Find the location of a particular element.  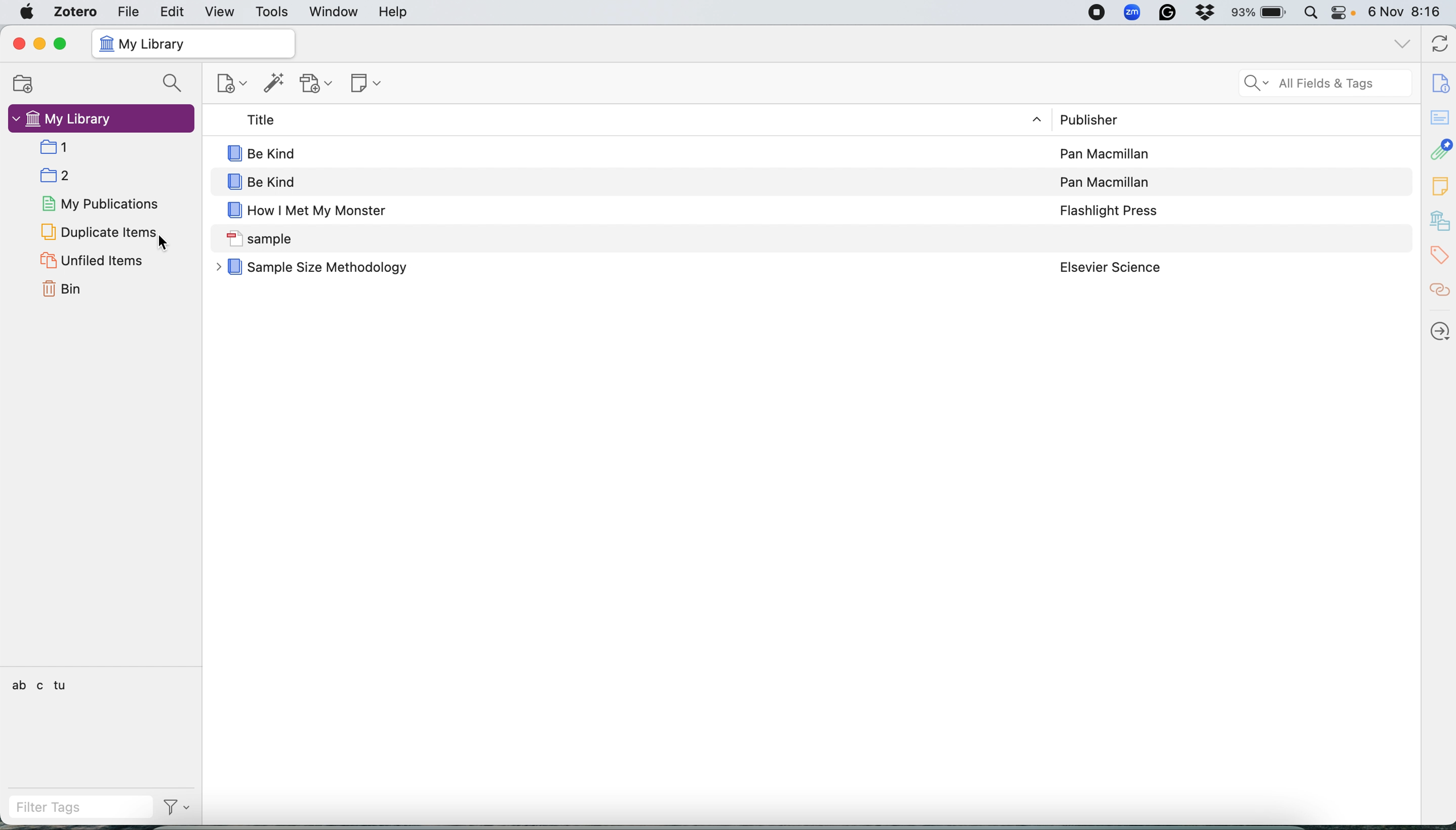

Pan Macmilan is located at coordinates (1106, 153).